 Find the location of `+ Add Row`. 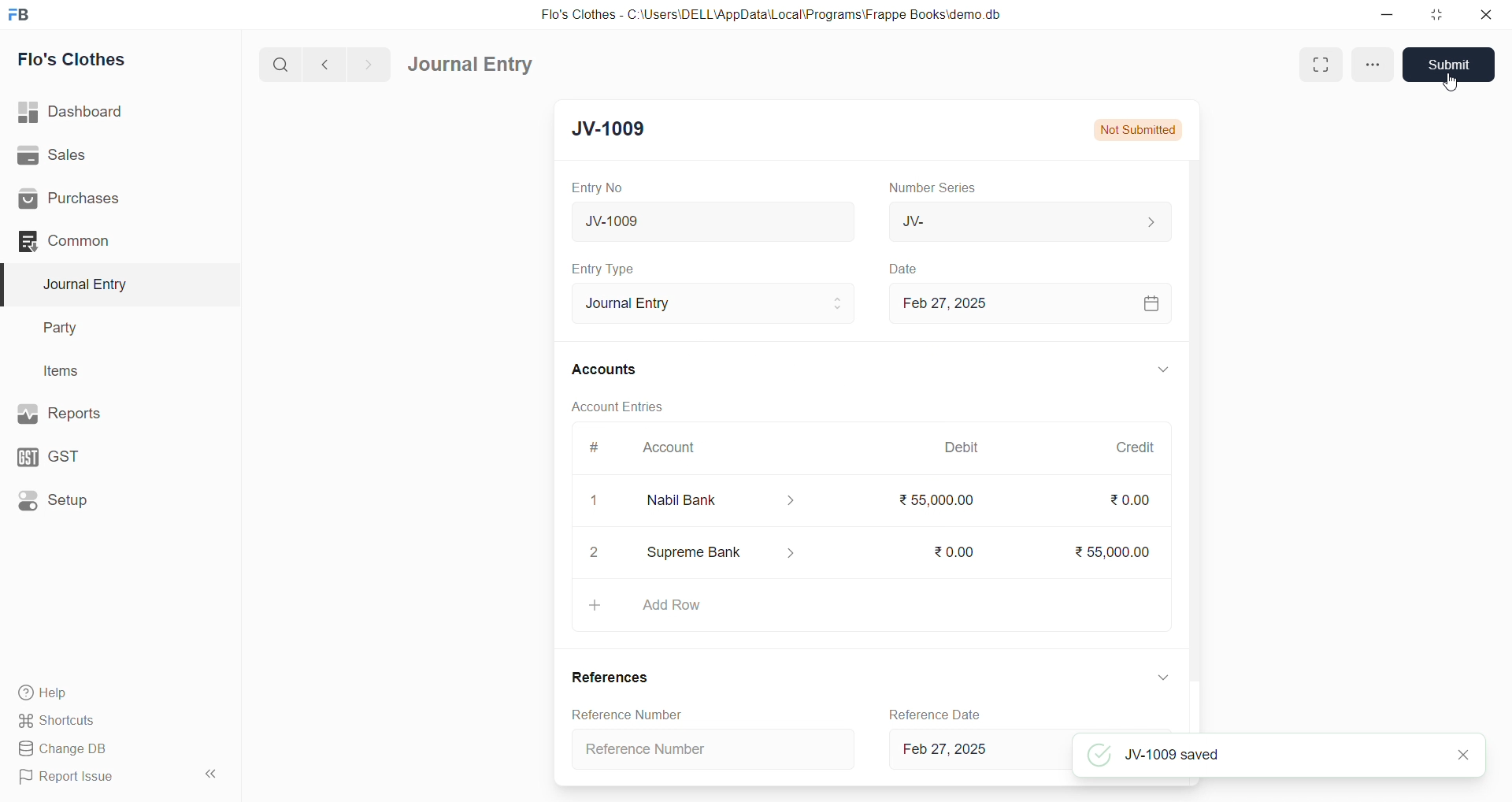

+ Add Row is located at coordinates (870, 604).